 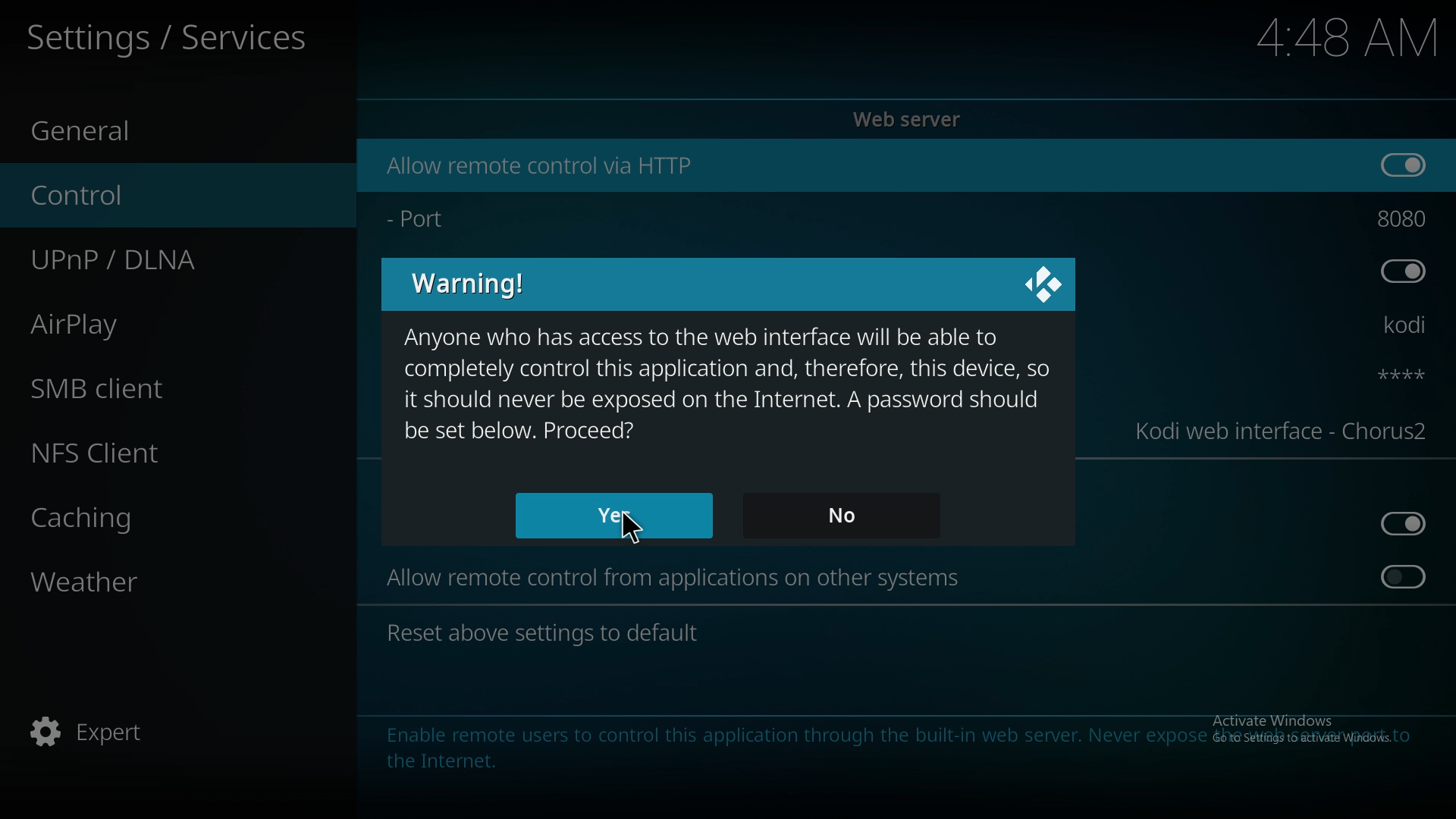 What do you see at coordinates (632, 529) in the screenshot?
I see `` at bounding box center [632, 529].